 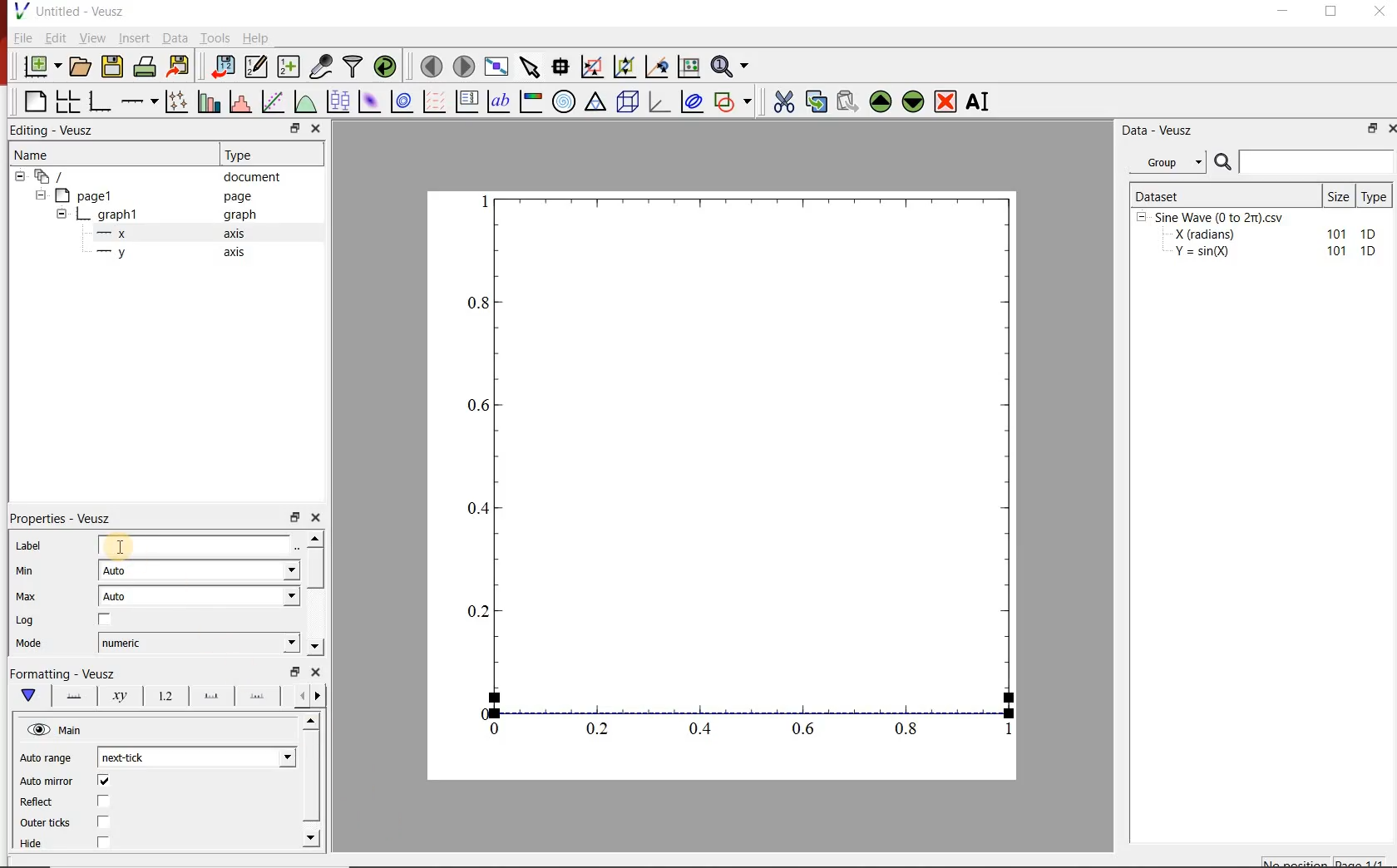 I want to click on BS —
0.8
0.6
0.4
0.2
0 0.2 0.4 0.6 0.8 1, so click(x=743, y=472).